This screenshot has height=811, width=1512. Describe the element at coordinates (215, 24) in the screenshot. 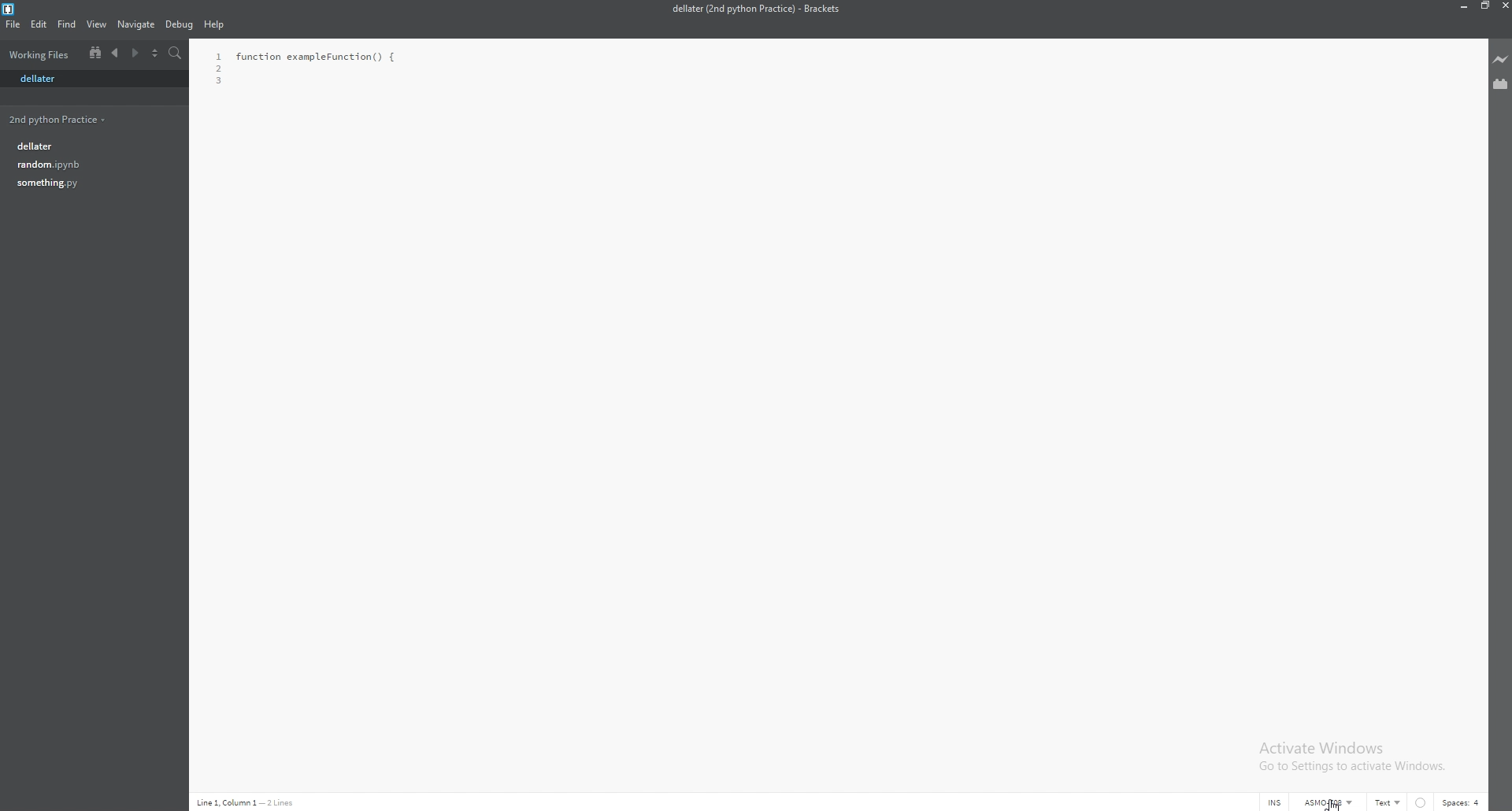

I see `help` at that location.